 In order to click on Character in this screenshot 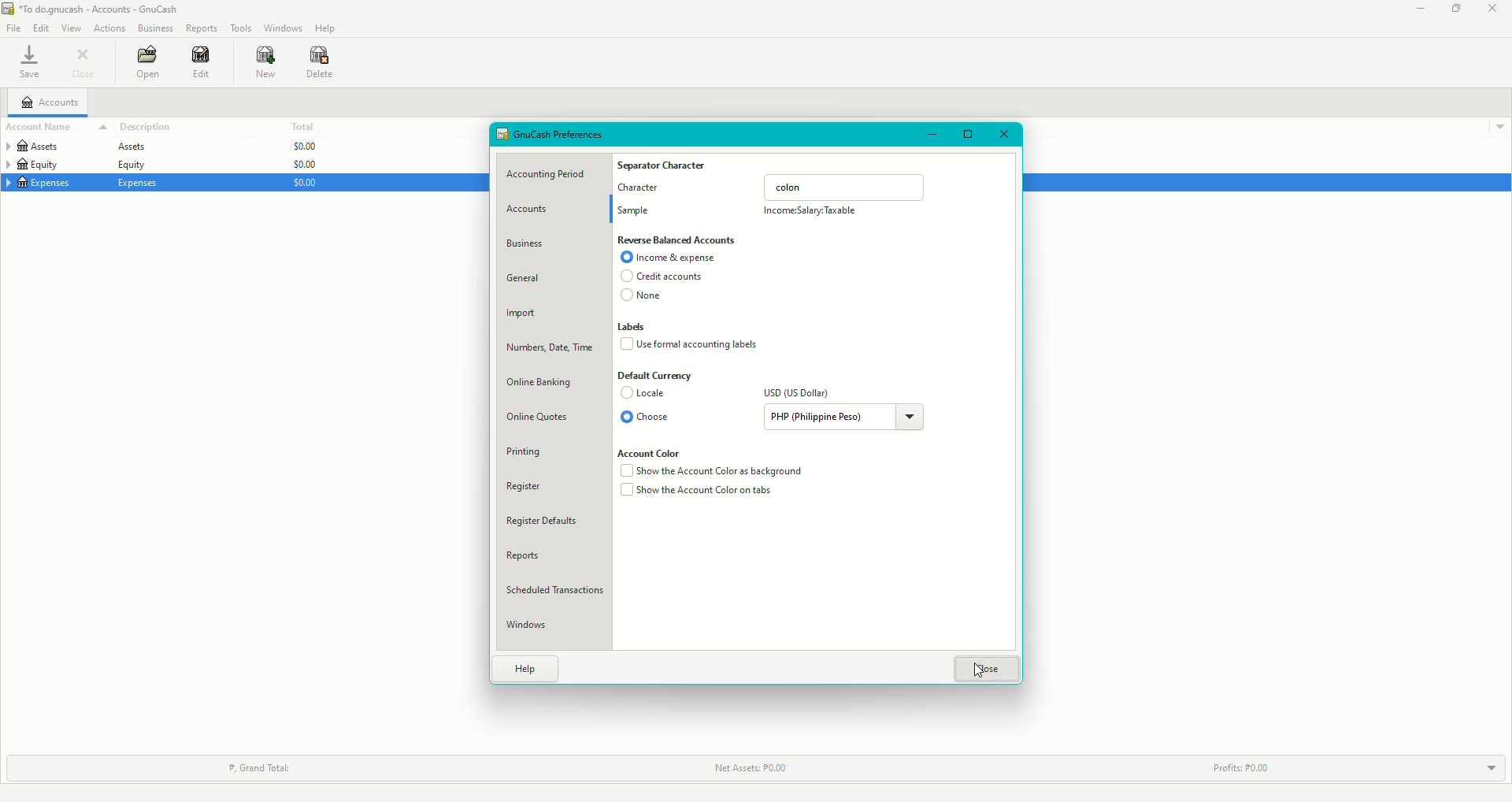, I will do `click(640, 191)`.